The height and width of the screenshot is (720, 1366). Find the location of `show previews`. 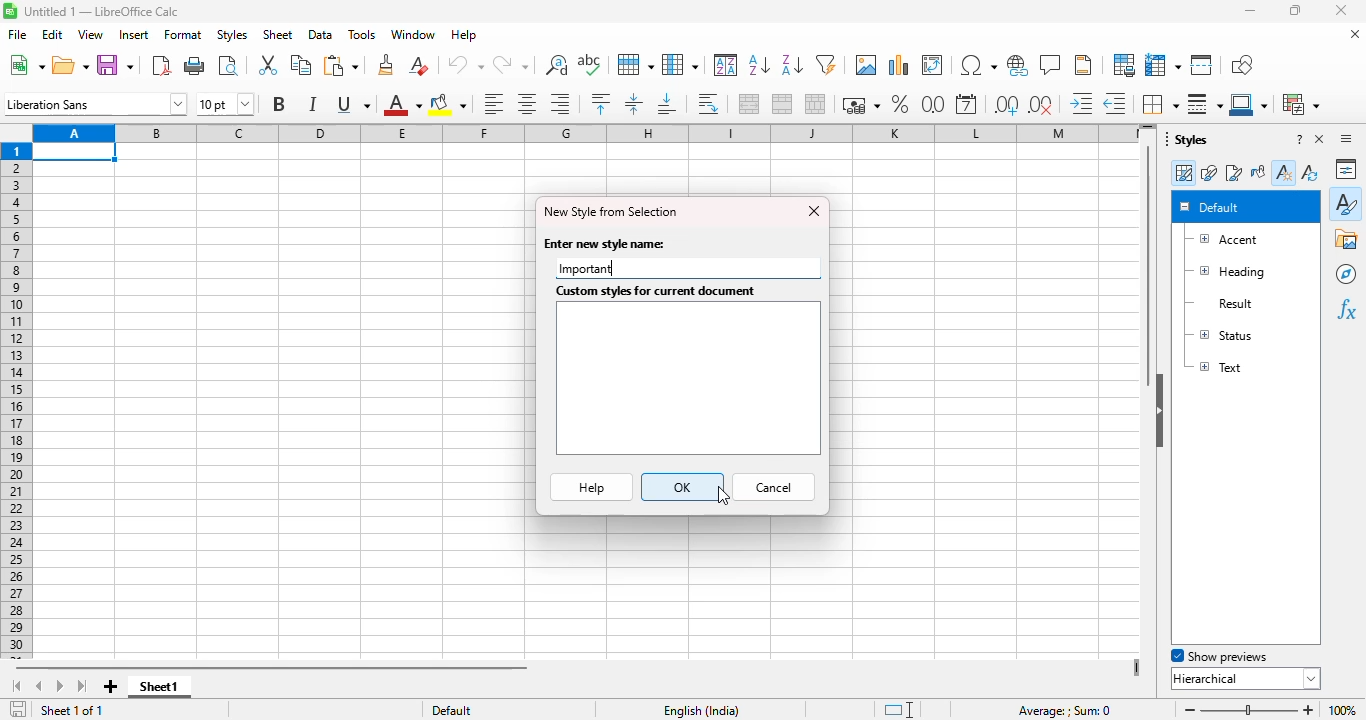

show previews is located at coordinates (1220, 656).